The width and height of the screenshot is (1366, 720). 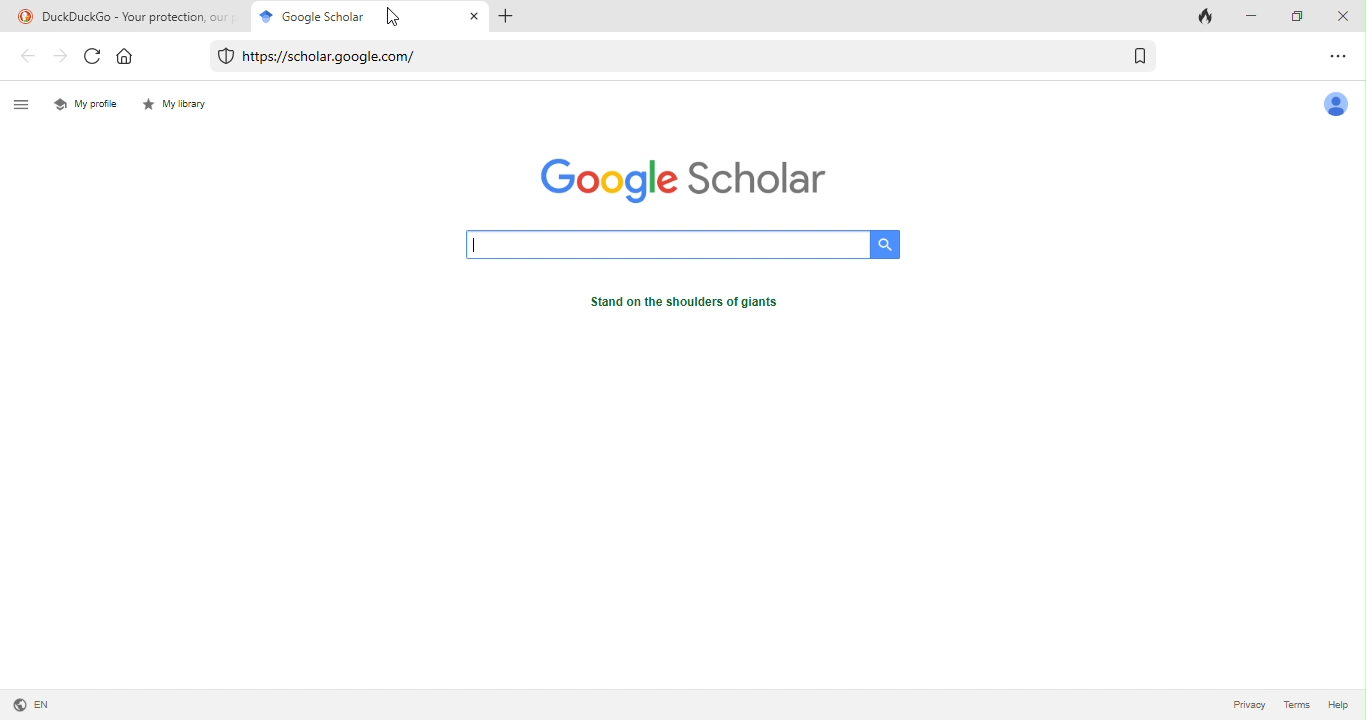 What do you see at coordinates (32, 704) in the screenshot?
I see `language` at bounding box center [32, 704].